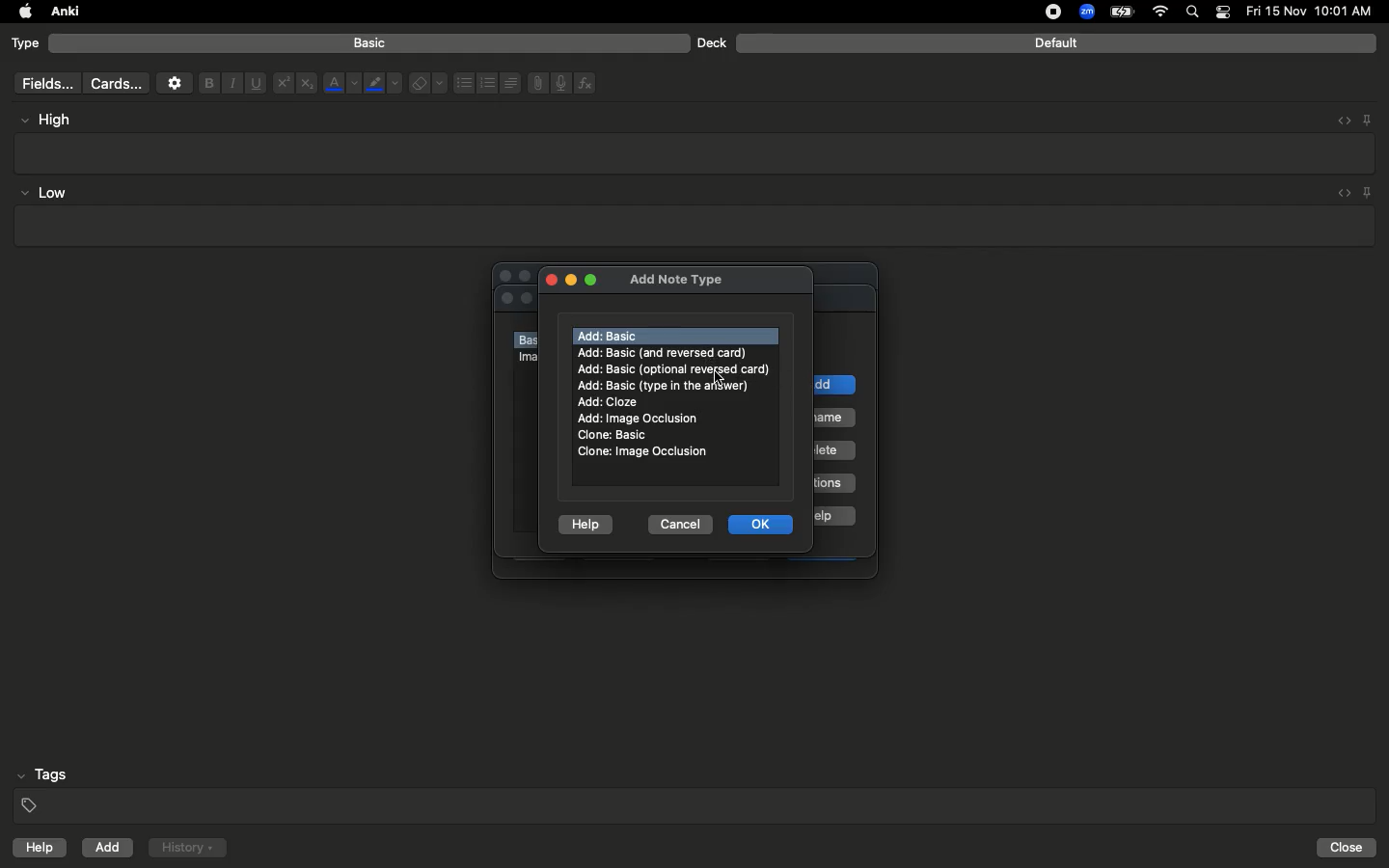  What do you see at coordinates (692, 227) in the screenshot?
I see `Textbox` at bounding box center [692, 227].